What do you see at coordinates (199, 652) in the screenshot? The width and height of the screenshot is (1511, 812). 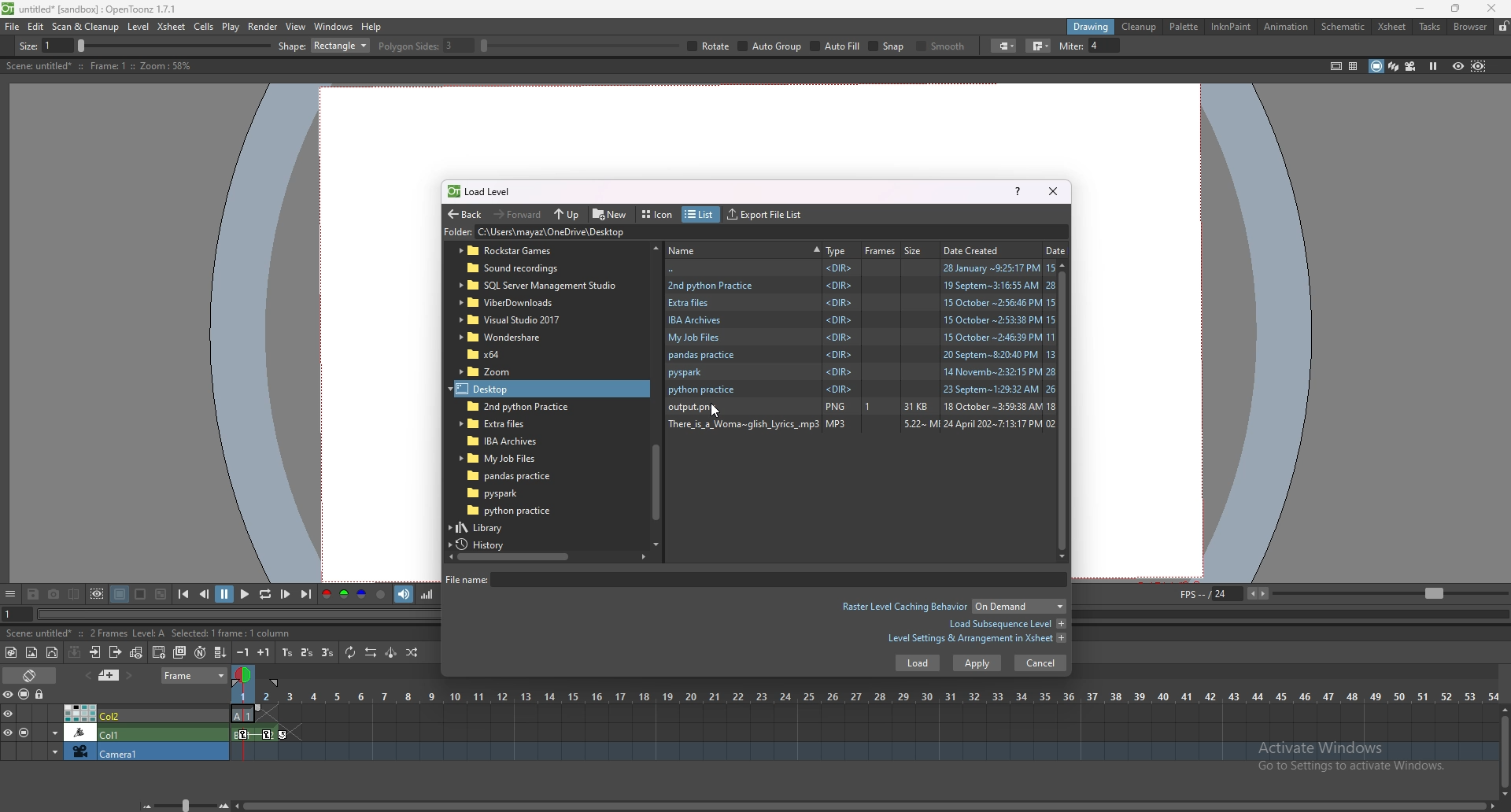 I see `auto input cell number` at bounding box center [199, 652].